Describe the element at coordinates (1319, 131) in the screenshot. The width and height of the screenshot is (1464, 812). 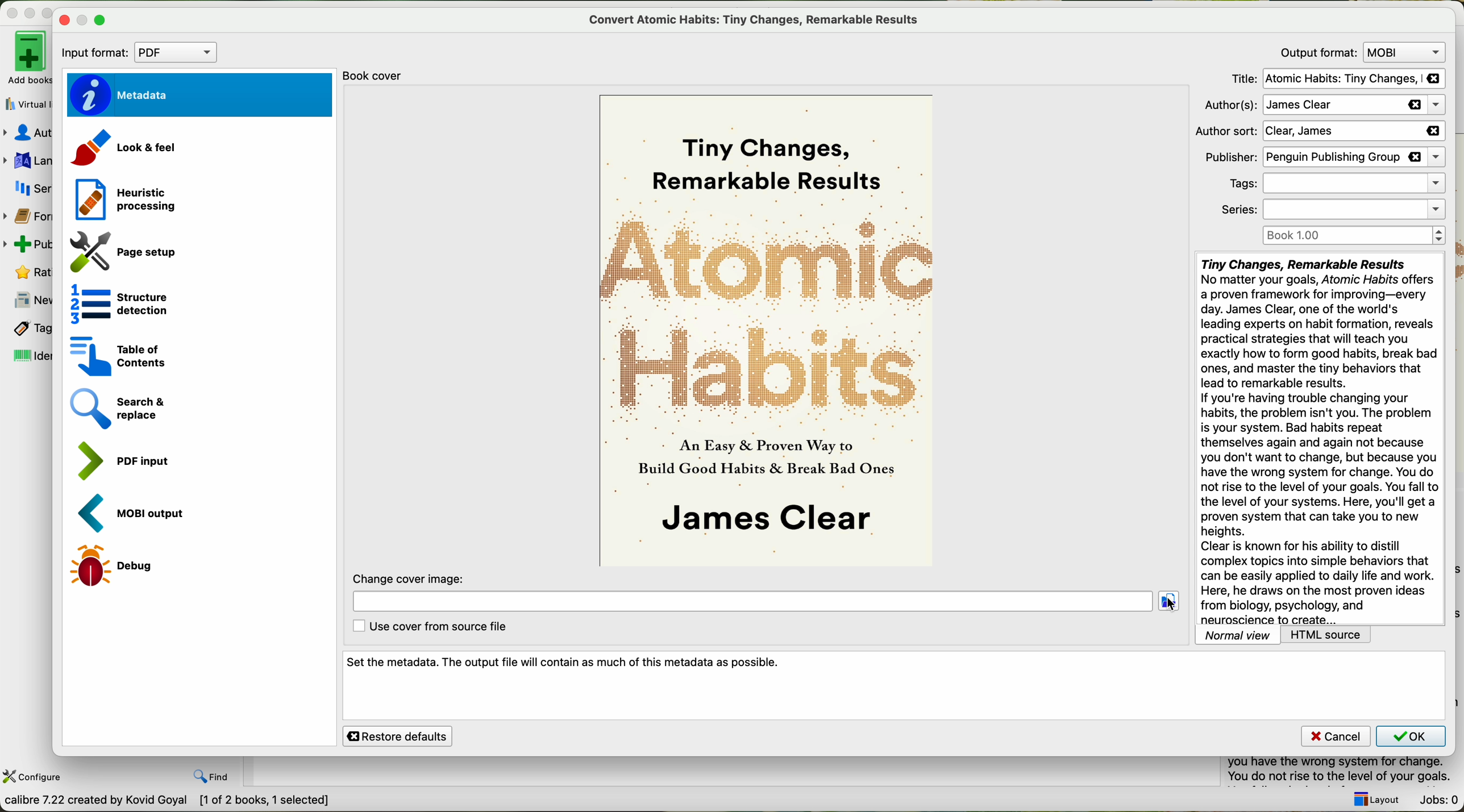
I see `author sort` at that location.